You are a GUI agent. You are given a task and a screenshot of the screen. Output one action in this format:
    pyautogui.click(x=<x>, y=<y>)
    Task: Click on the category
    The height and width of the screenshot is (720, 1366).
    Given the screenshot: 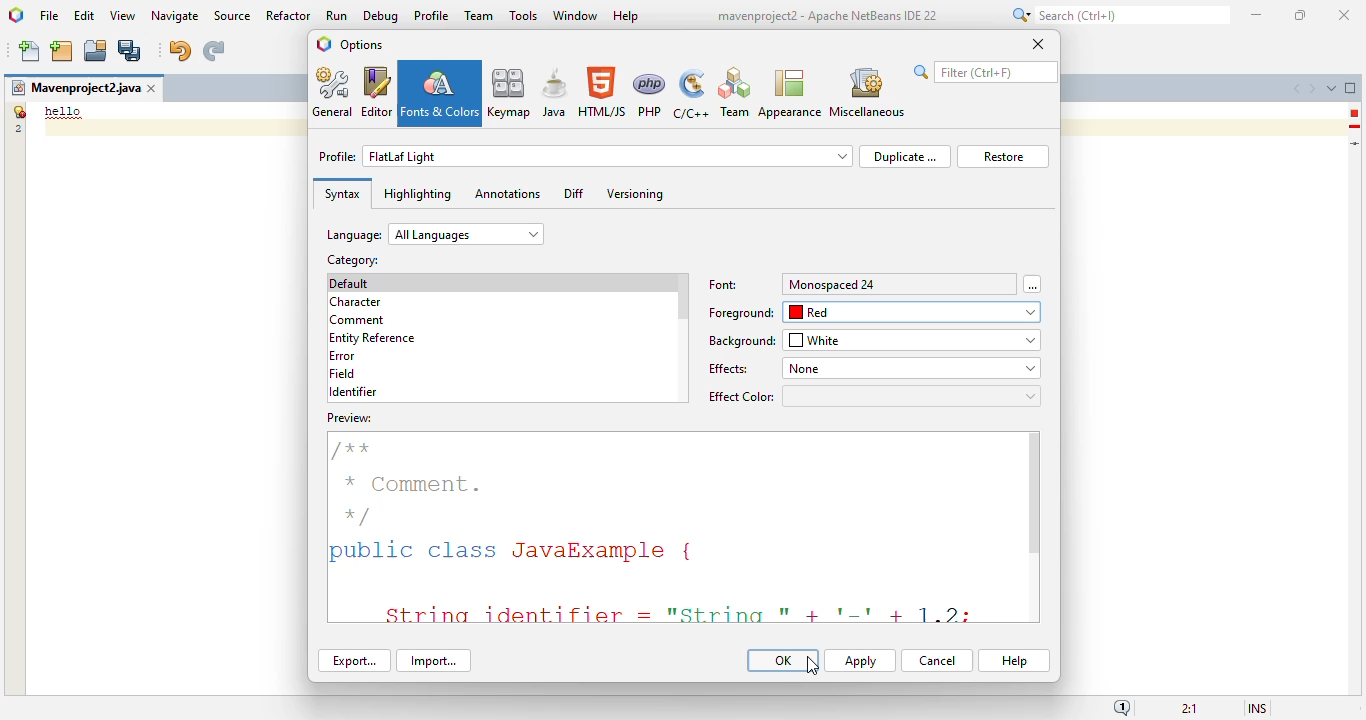 What is the action you would take?
    pyautogui.click(x=351, y=260)
    